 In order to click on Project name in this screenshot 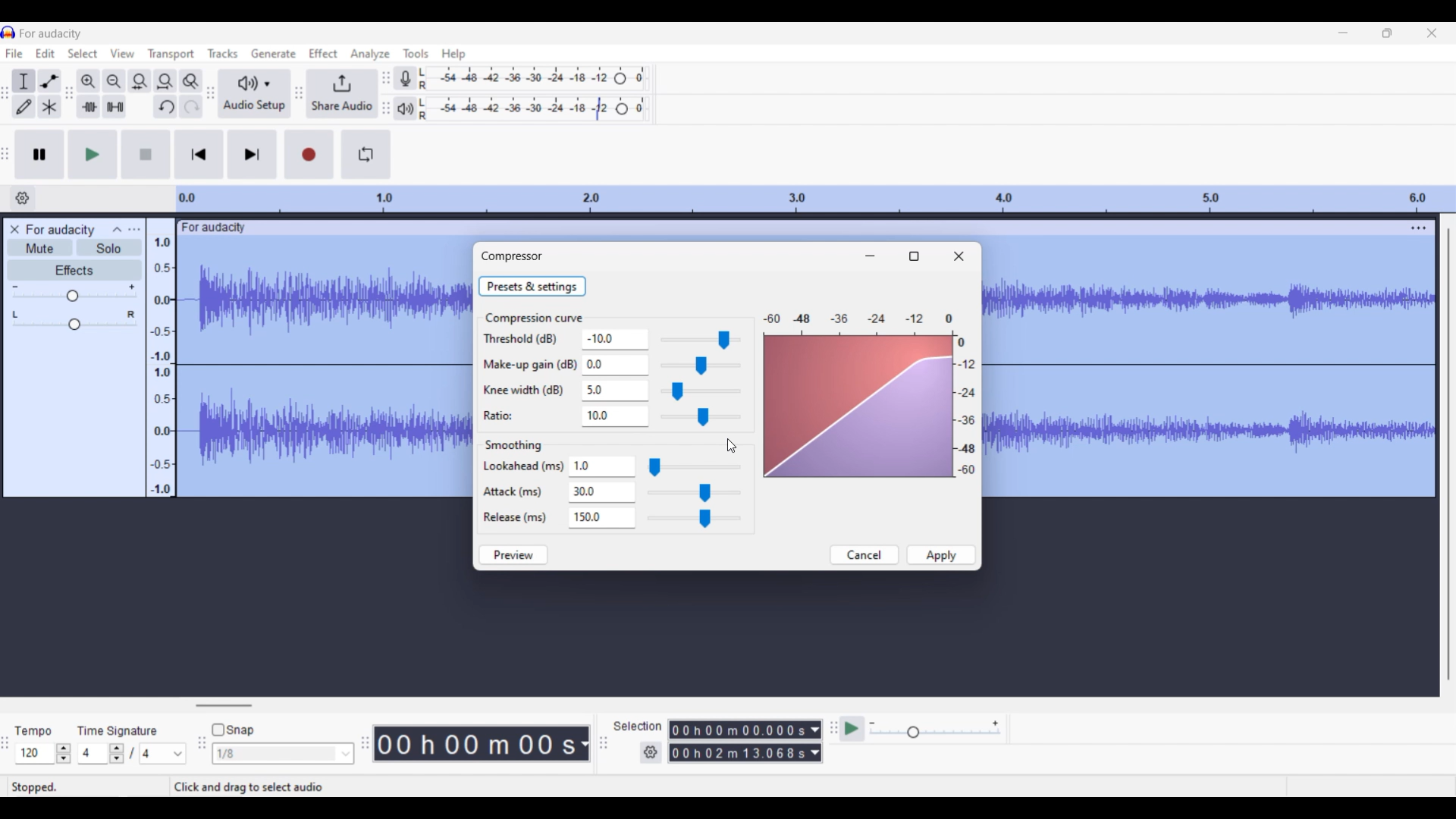, I will do `click(50, 34)`.